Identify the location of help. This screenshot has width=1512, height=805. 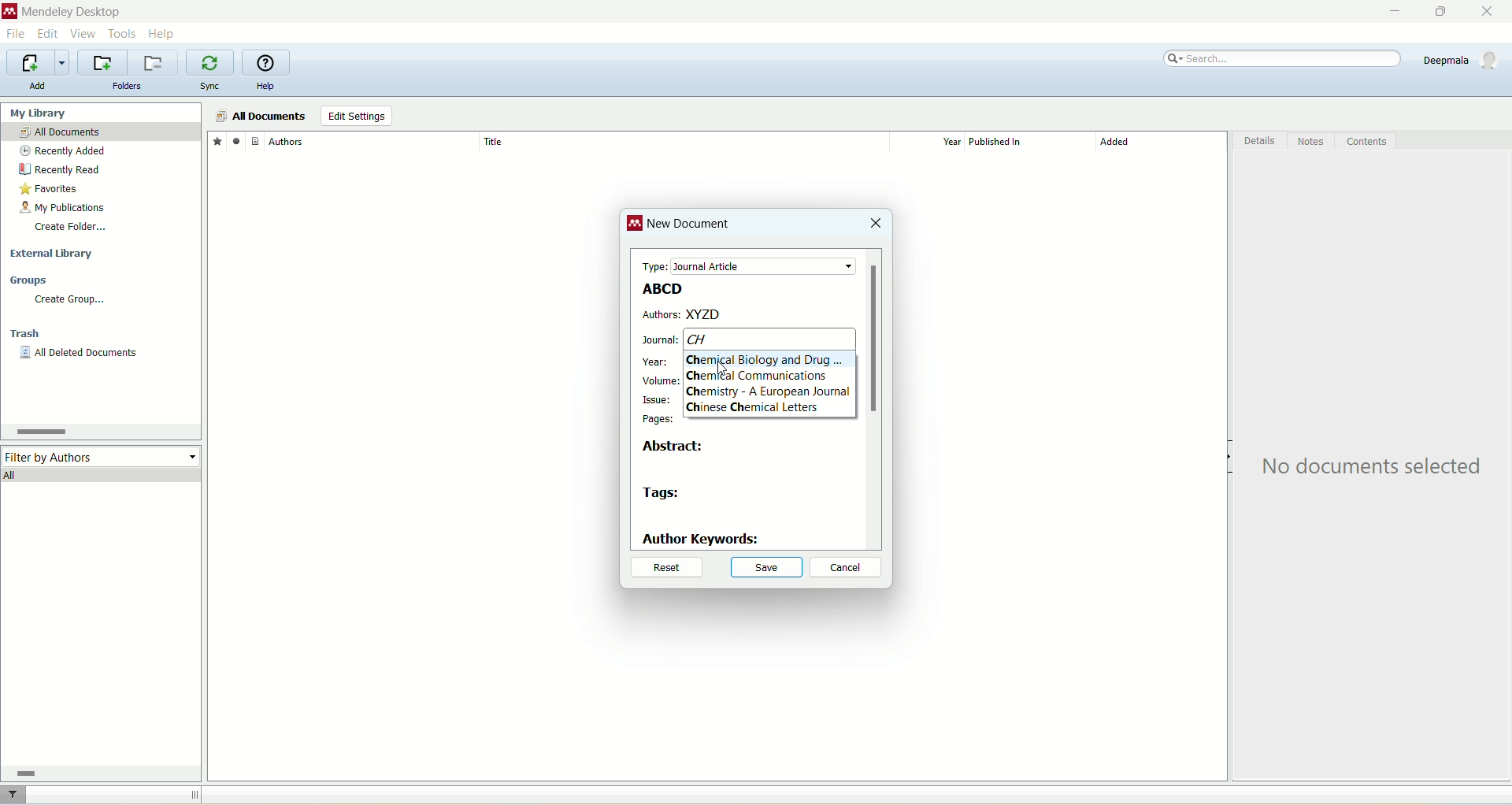
(265, 87).